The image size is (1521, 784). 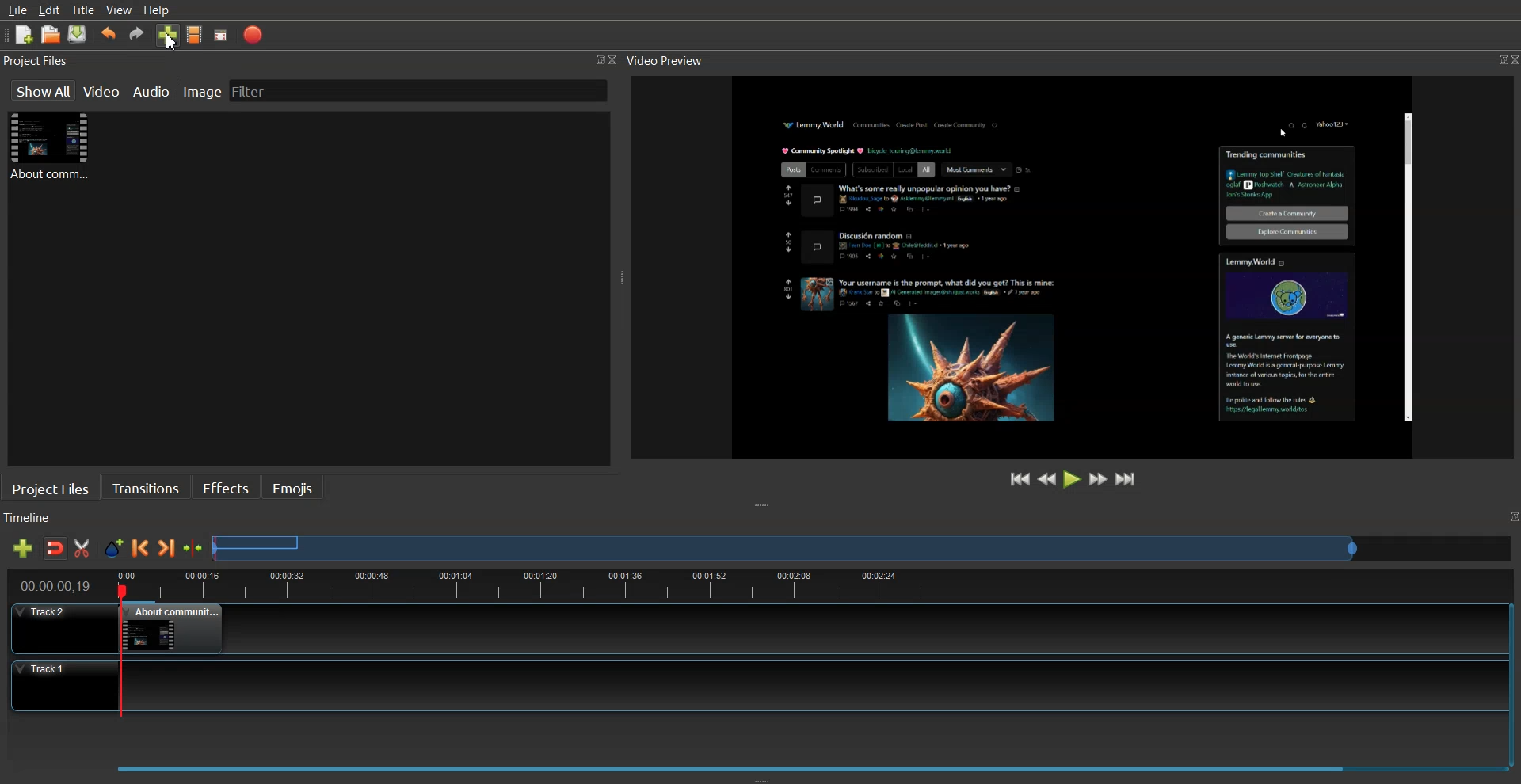 I want to click on Choose Profile, so click(x=195, y=34).